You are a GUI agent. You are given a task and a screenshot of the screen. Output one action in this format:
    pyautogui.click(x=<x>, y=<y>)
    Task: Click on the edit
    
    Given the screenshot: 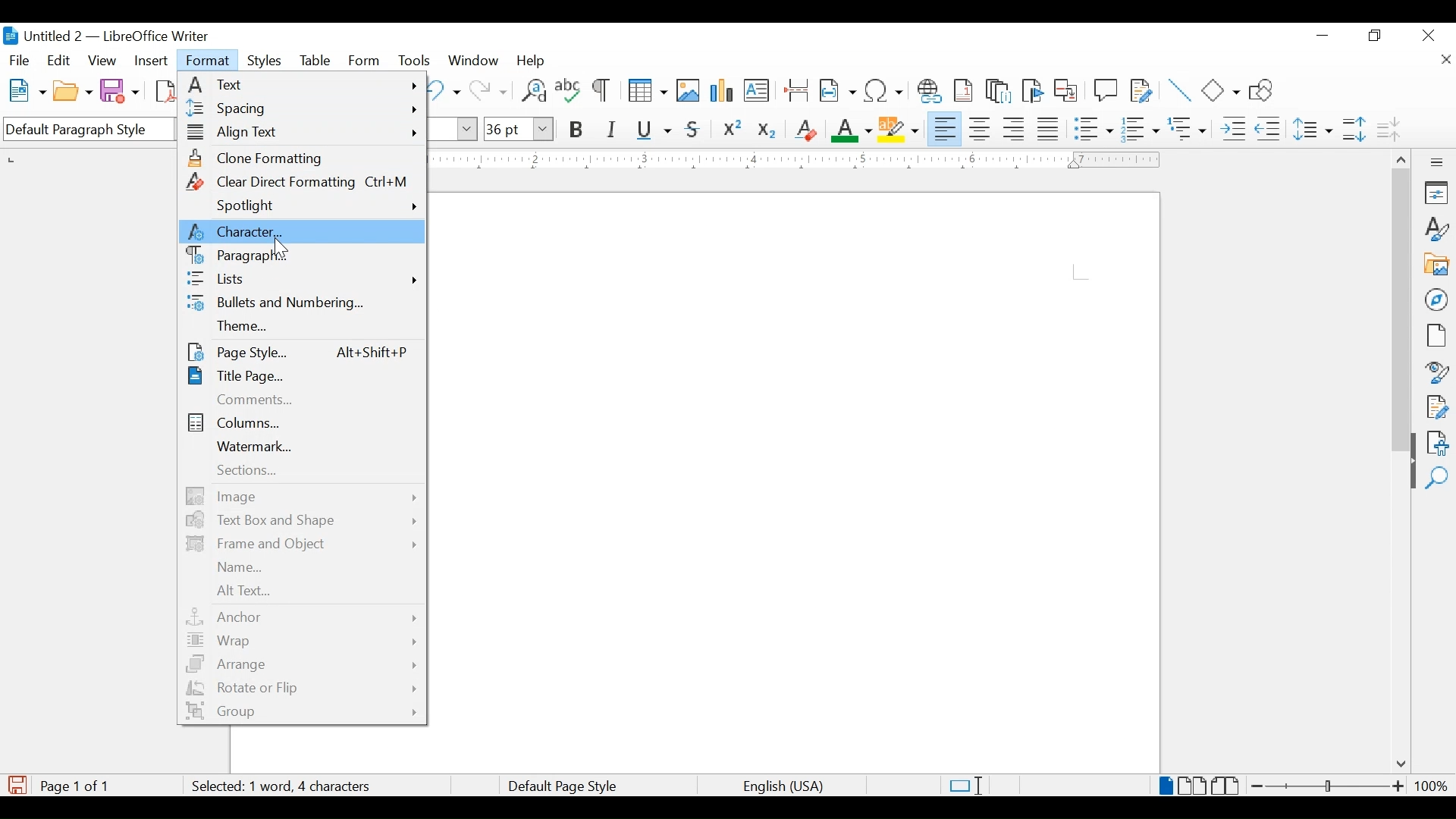 What is the action you would take?
    pyautogui.click(x=60, y=60)
    